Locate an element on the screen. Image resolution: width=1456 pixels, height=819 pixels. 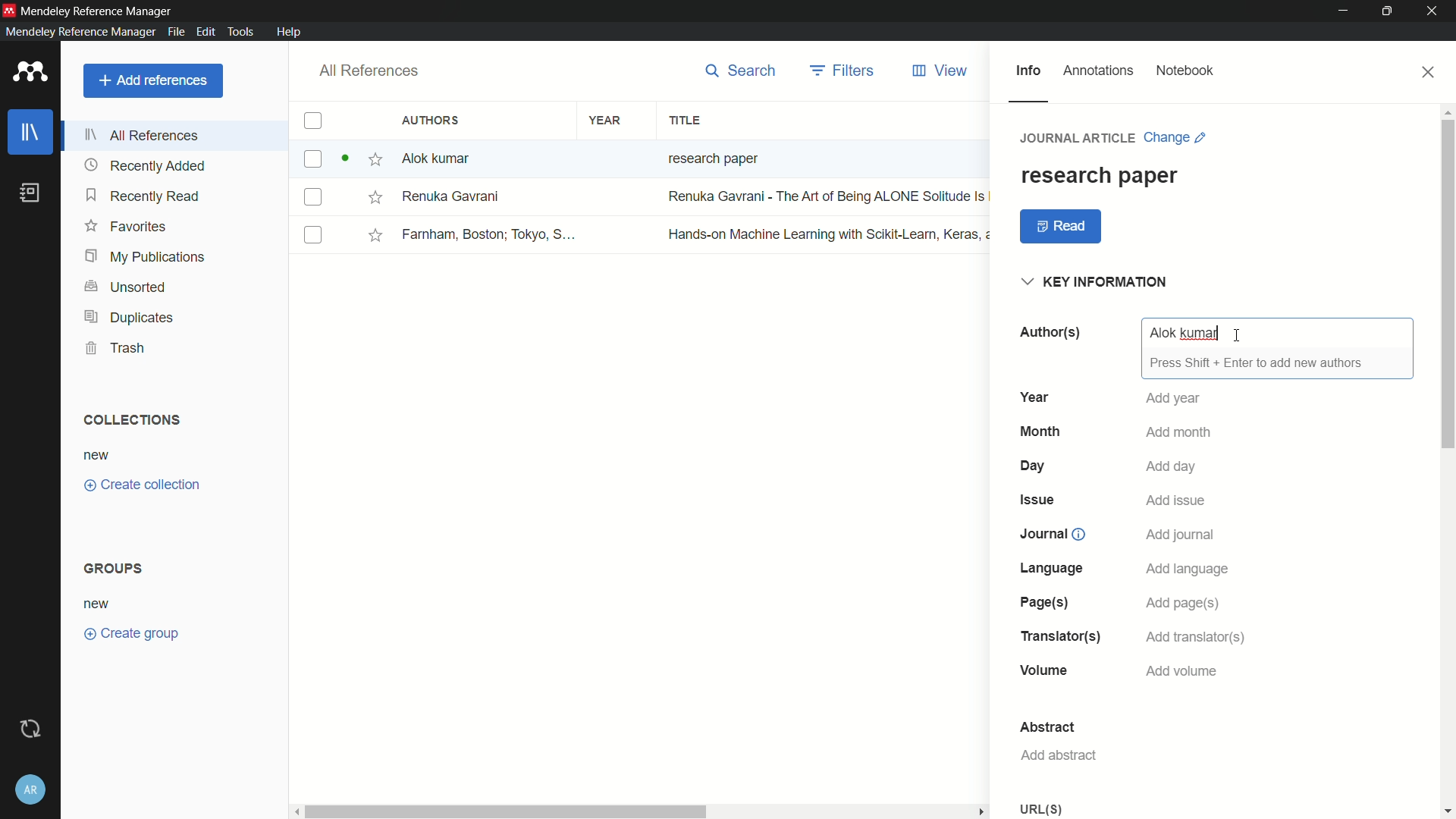
journal article is located at coordinates (1079, 137).